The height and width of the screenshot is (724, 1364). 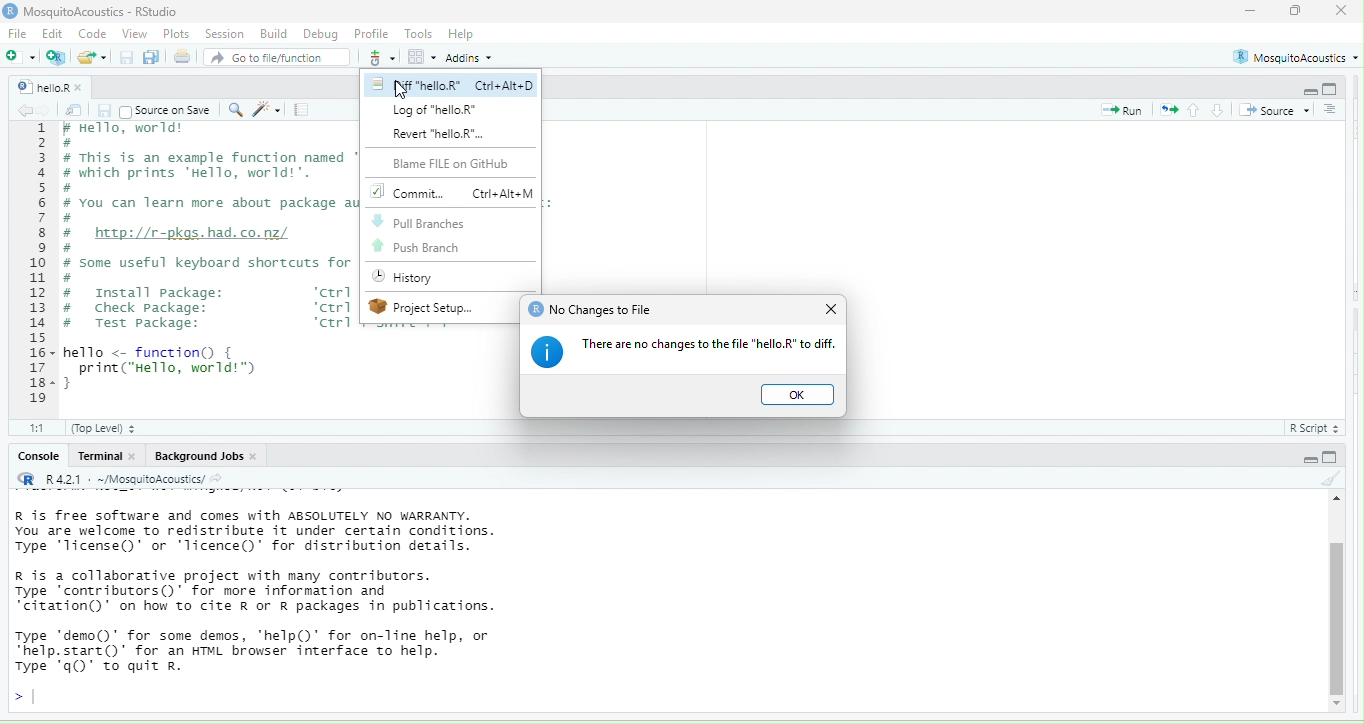 I want to click on show document outline, so click(x=1331, y=110).